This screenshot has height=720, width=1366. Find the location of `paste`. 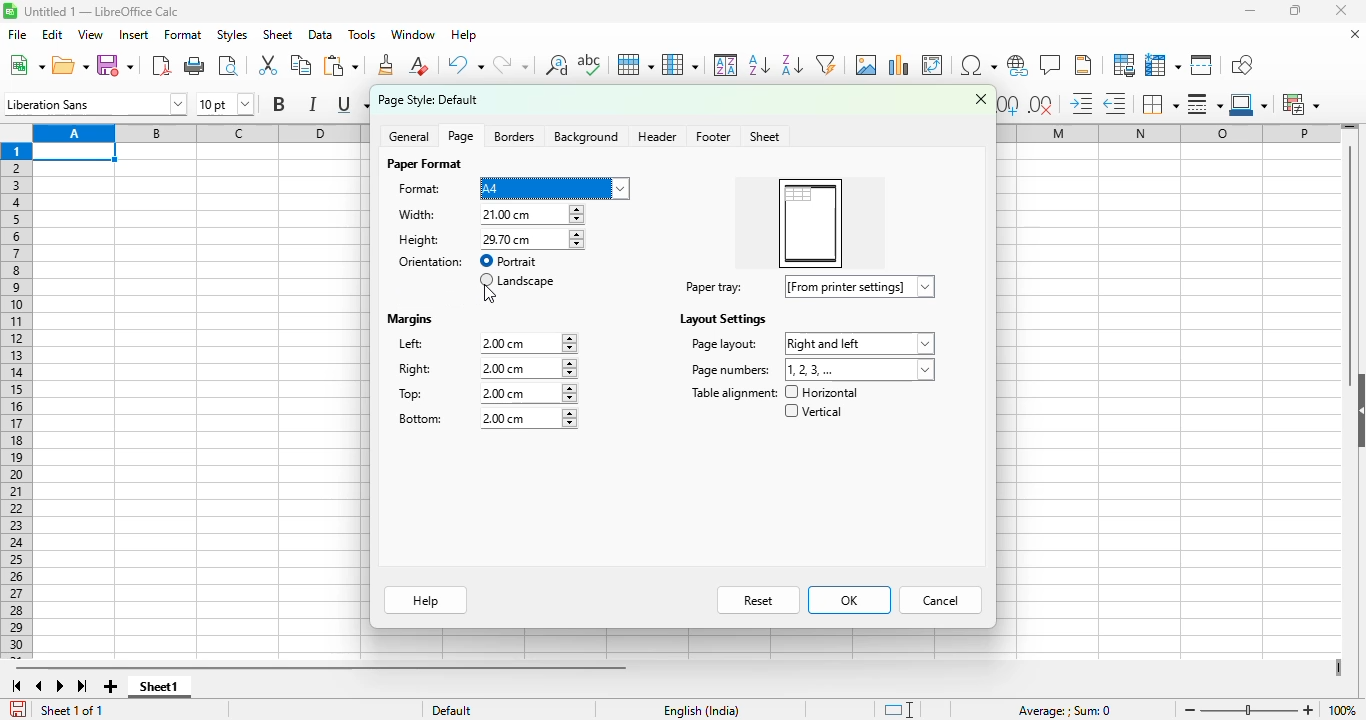

paste is located at coordinates (341, 65).